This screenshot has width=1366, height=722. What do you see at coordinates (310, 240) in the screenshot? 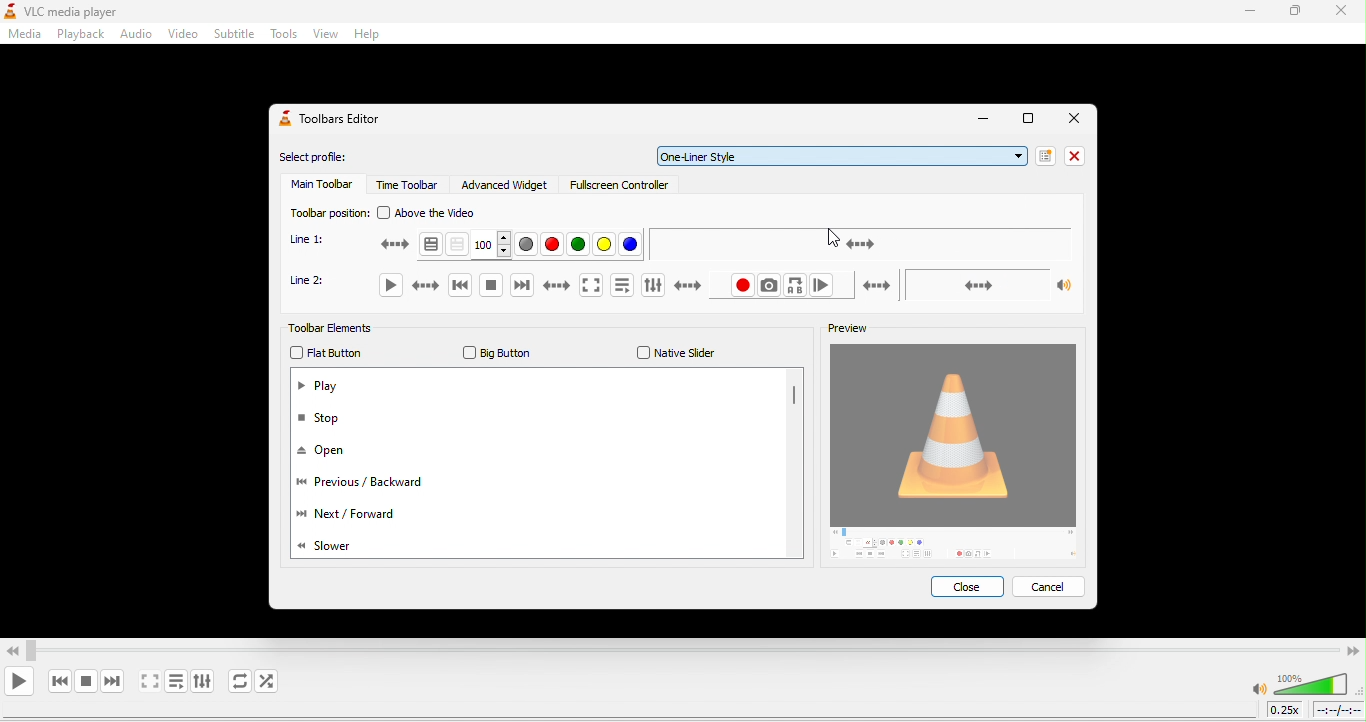
I see `line 1` at bounding box center [310, 240].